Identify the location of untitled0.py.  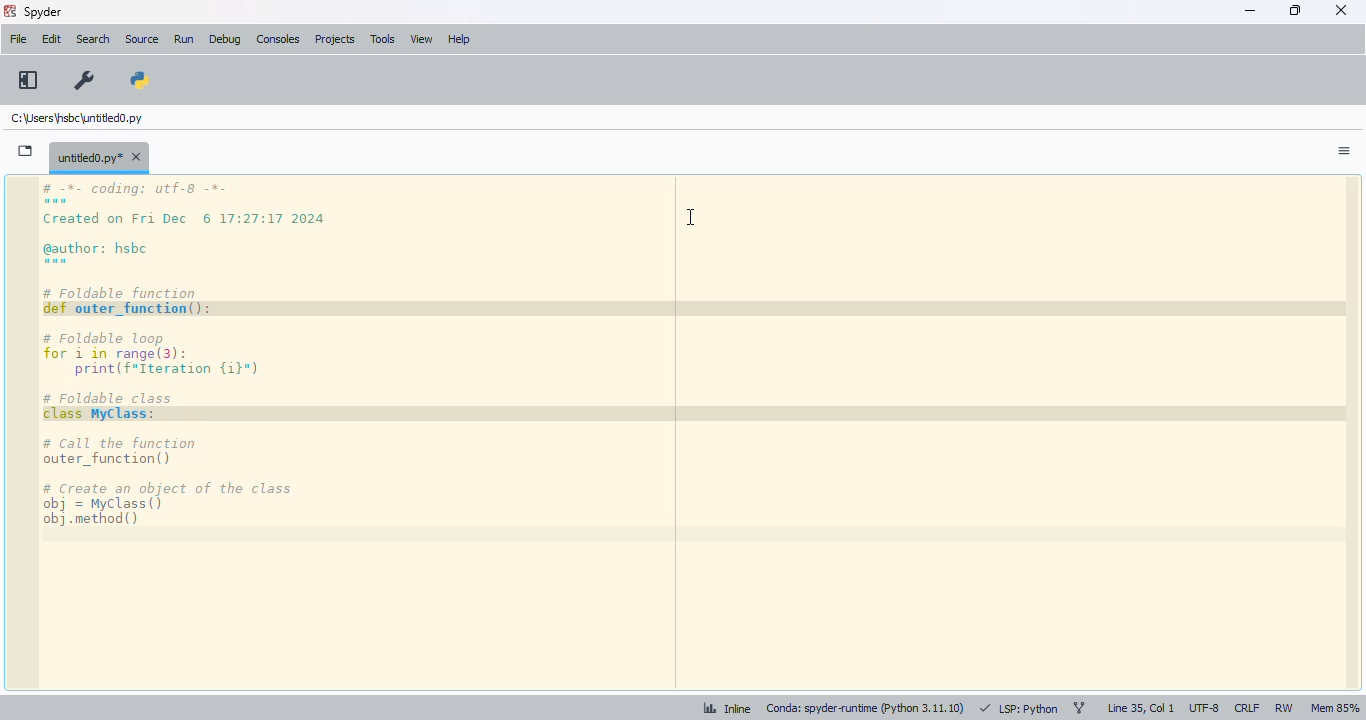
(99, 156).